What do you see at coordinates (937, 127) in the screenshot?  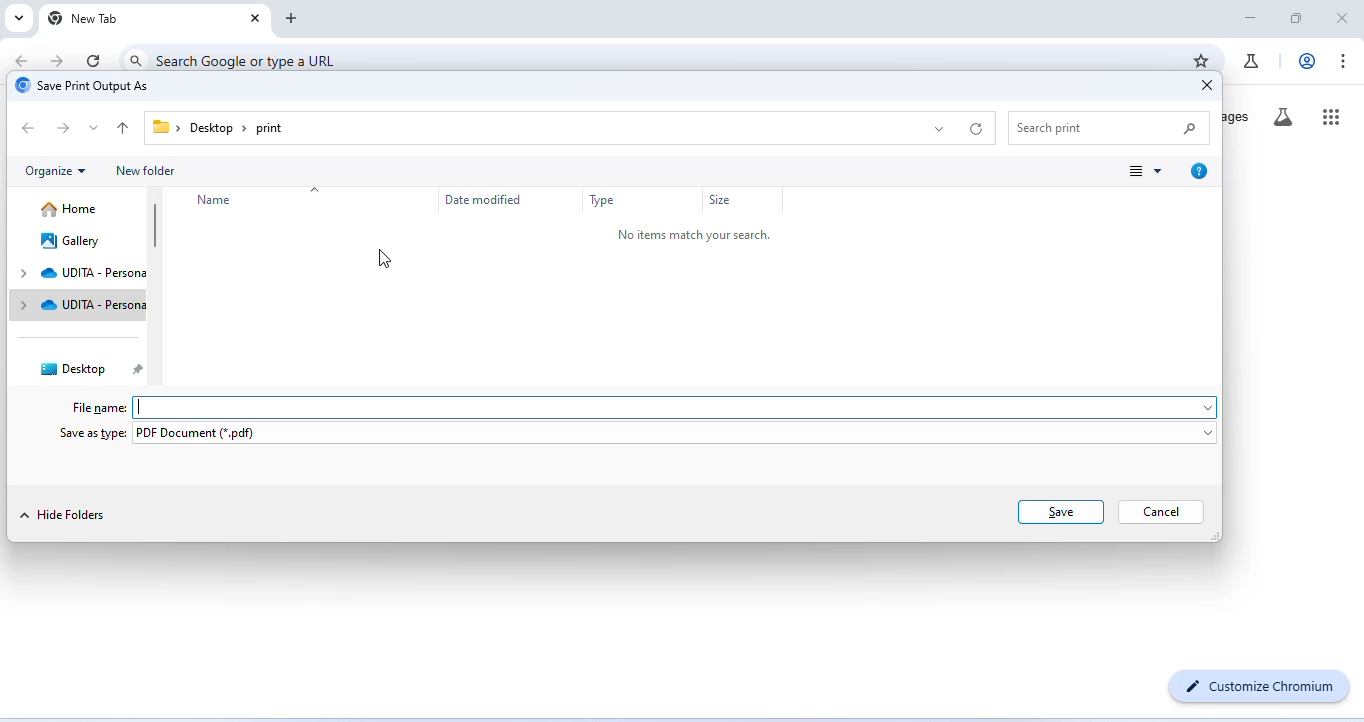 I see `drop down` at bounding box center [937, 127].